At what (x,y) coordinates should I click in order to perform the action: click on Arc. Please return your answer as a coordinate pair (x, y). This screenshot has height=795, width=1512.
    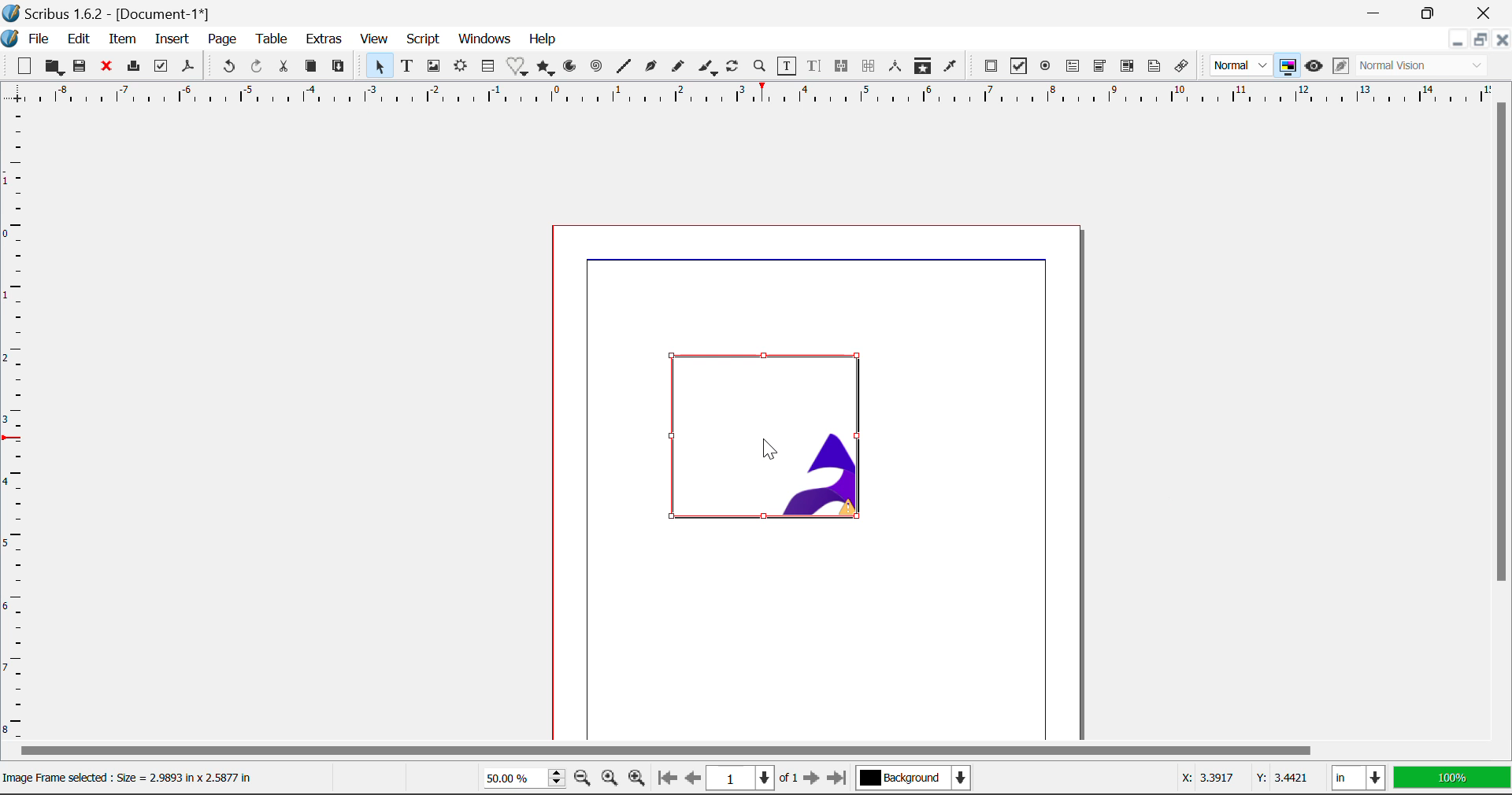
    Looking at the image, I should click on (573, 68).